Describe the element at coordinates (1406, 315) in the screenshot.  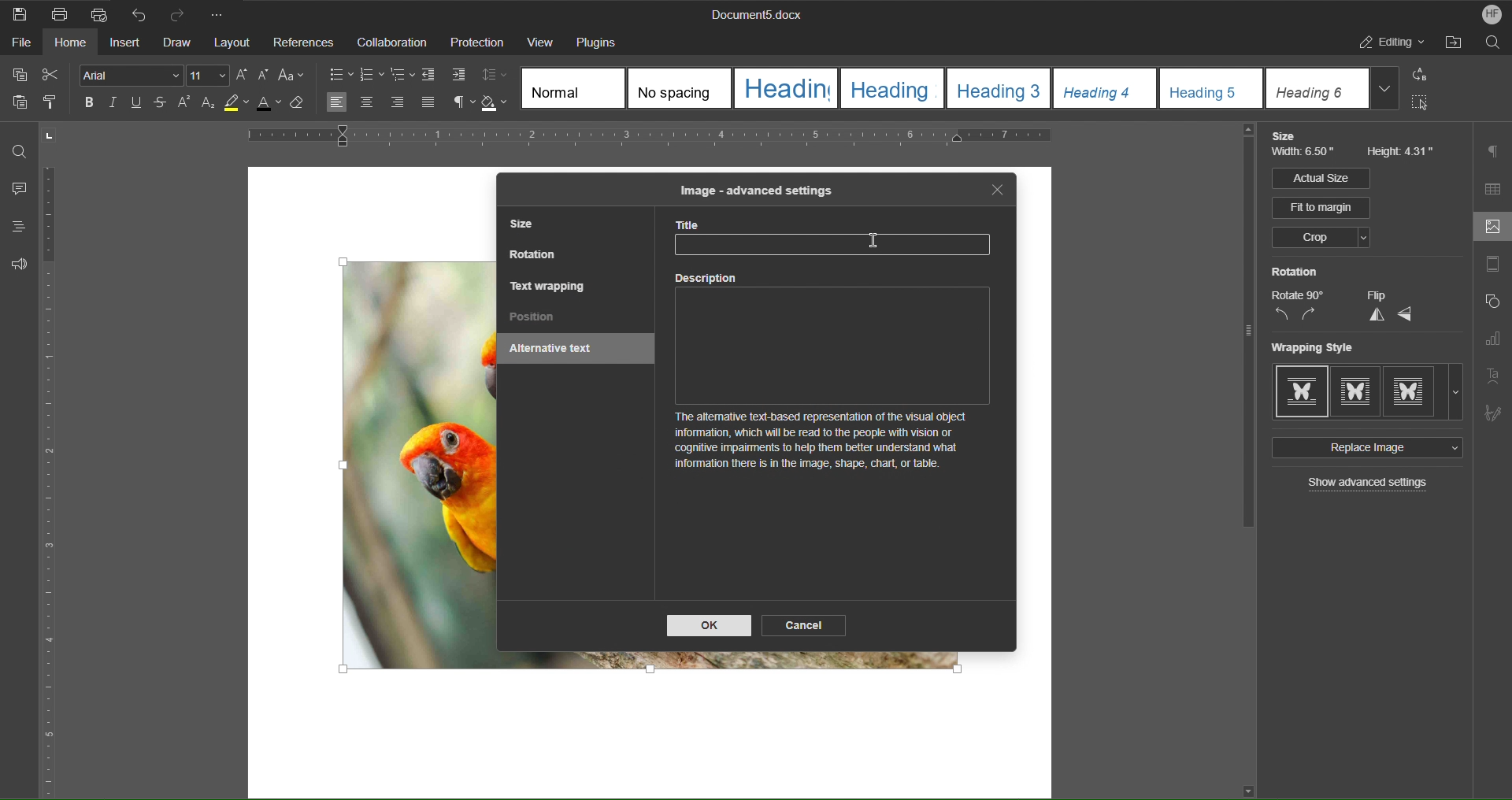
I see `Horizontal Flip` at that location.